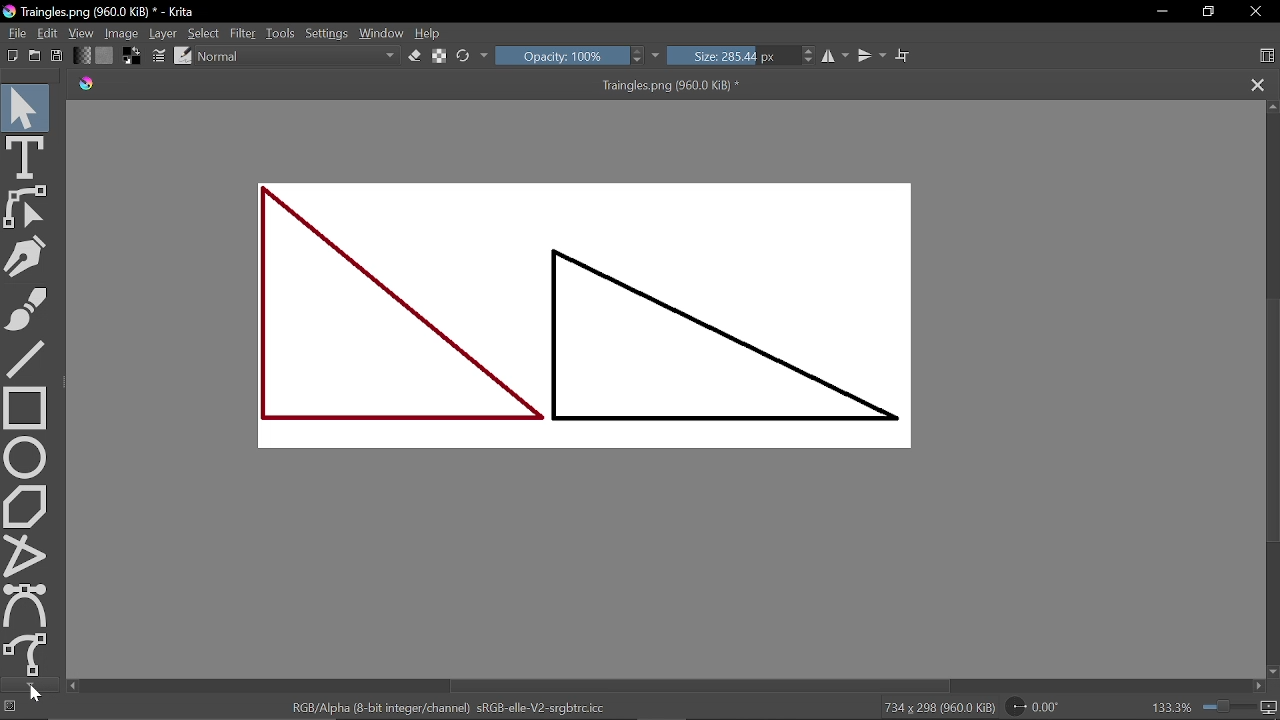  What do you see at coordinates (836, 55) in the screenshot?
I see `Mirror horizontally` at bounding box center [836, 55].